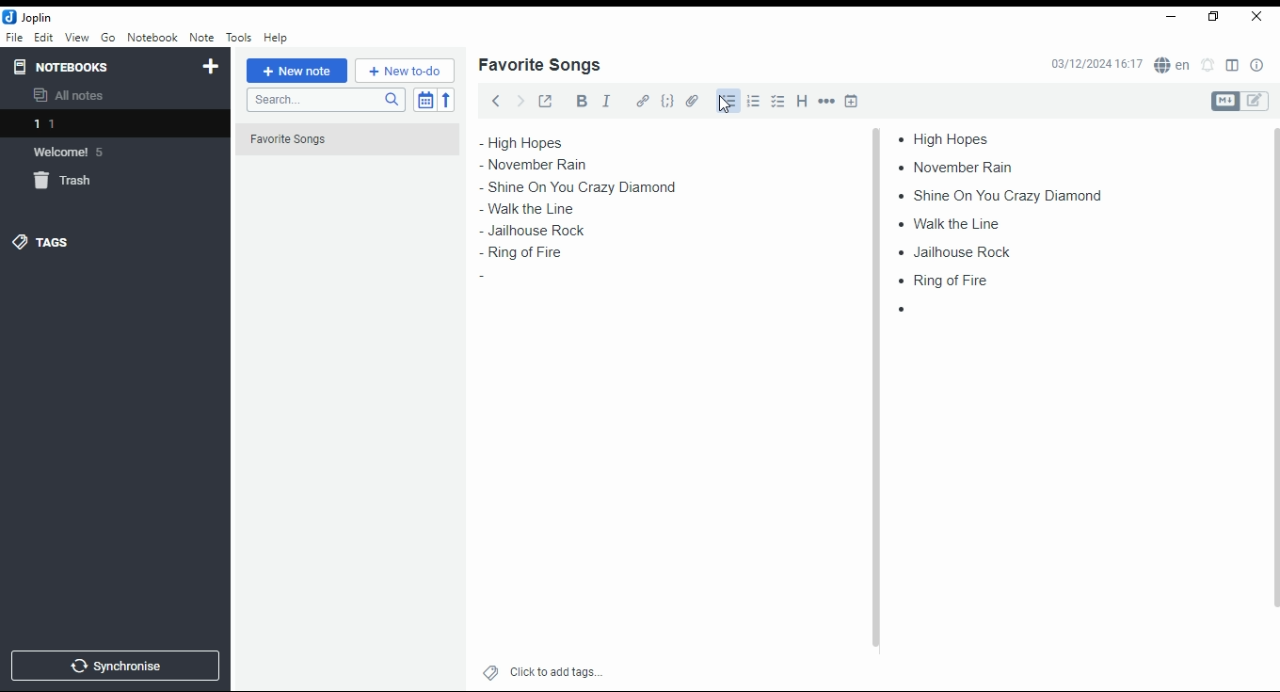  I want to click on code, so click(667, 101).